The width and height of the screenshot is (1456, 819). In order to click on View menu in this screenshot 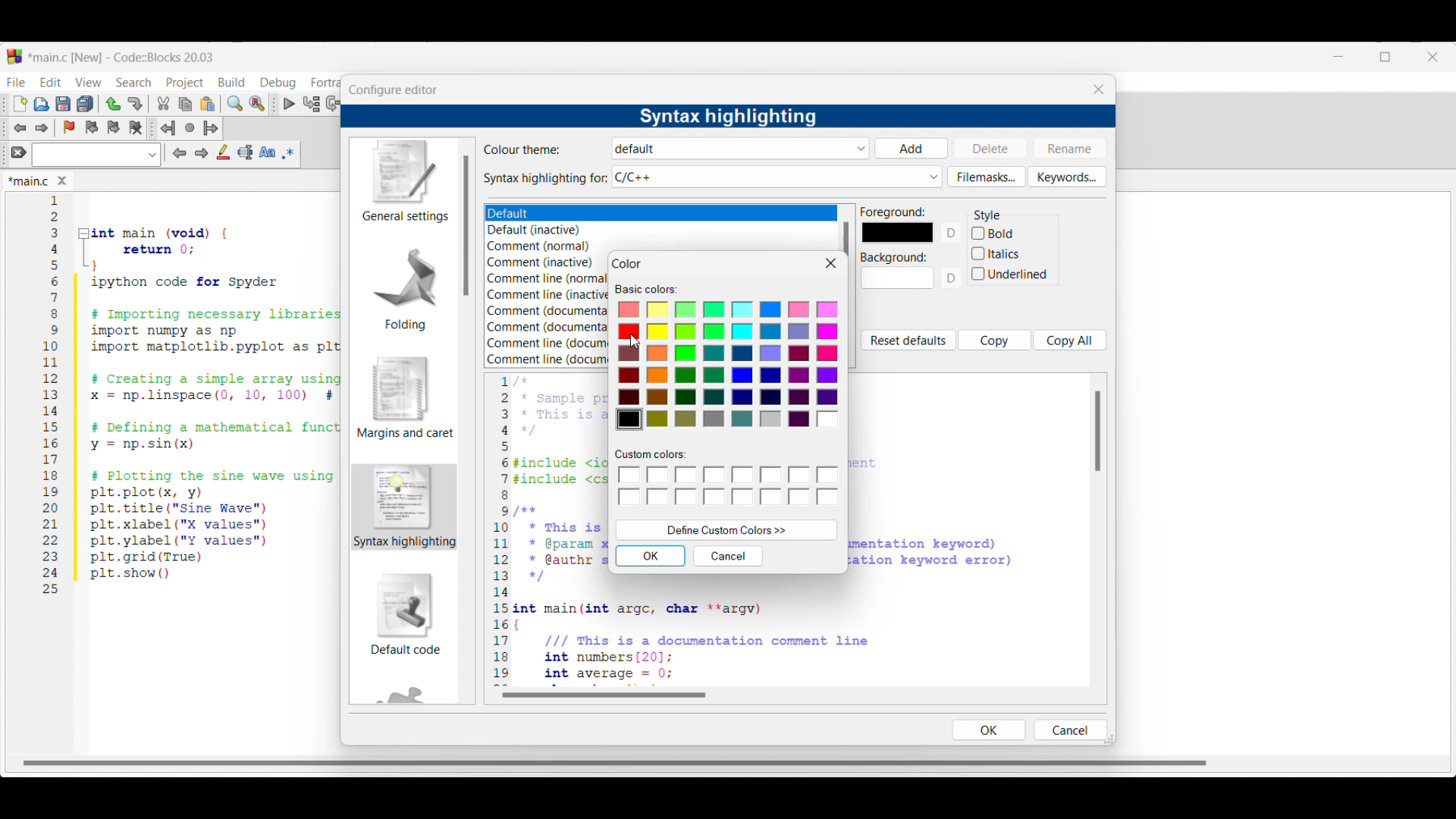, I will do `click(88, 83)`.